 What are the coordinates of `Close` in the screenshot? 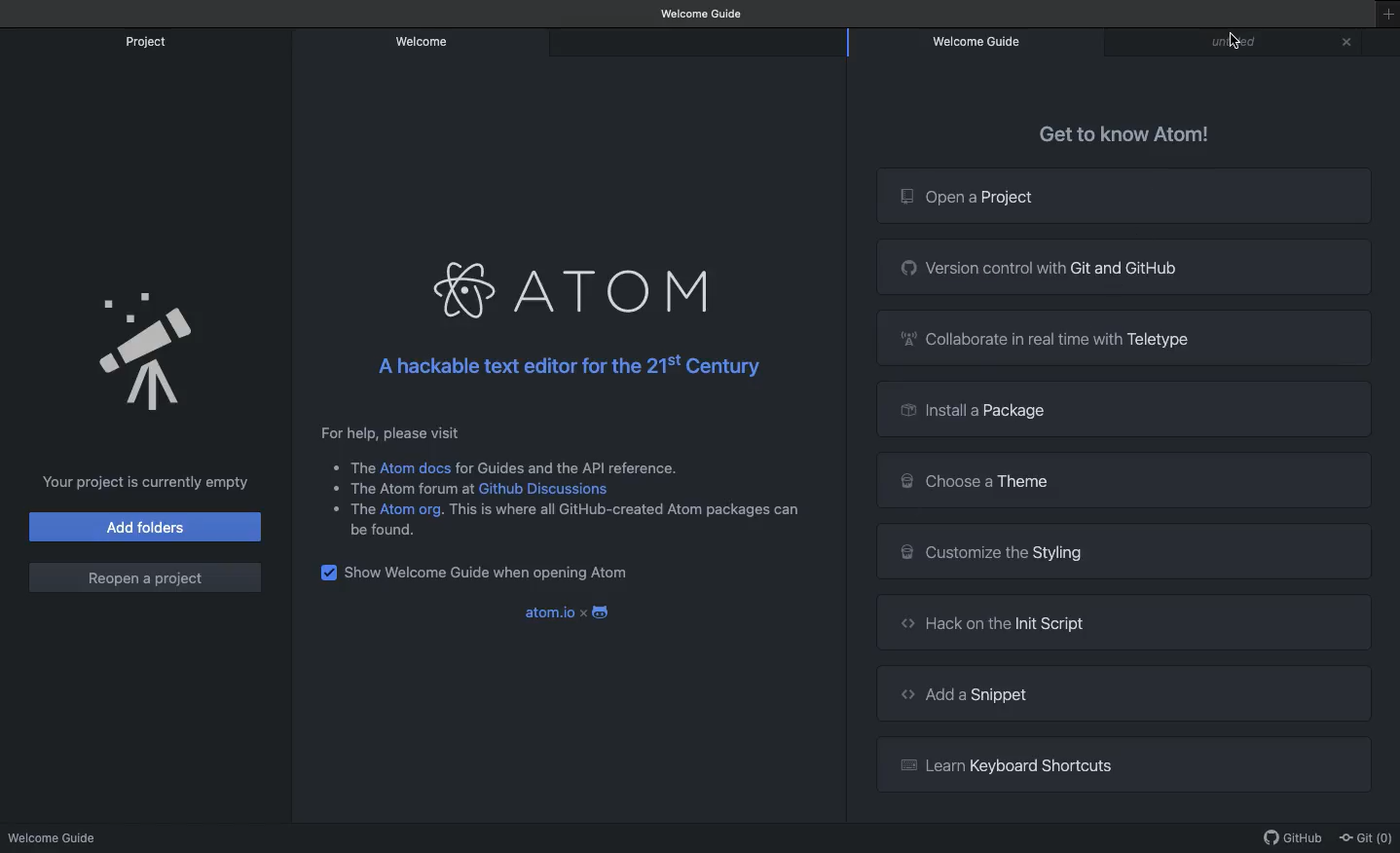 It's located at (1348, 42).